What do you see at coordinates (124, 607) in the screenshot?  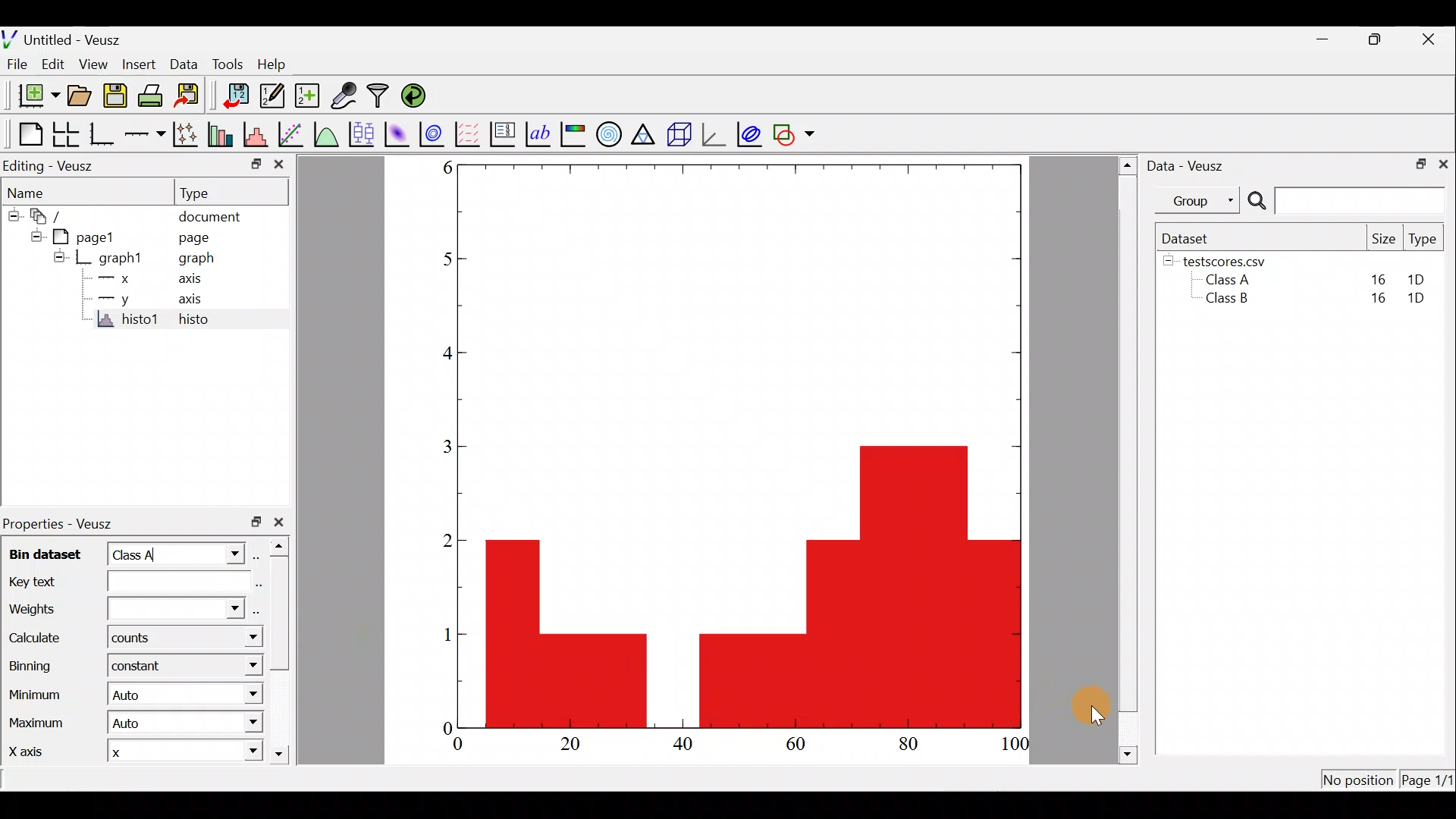 I see `Weights` at bounding box center [124, 607].